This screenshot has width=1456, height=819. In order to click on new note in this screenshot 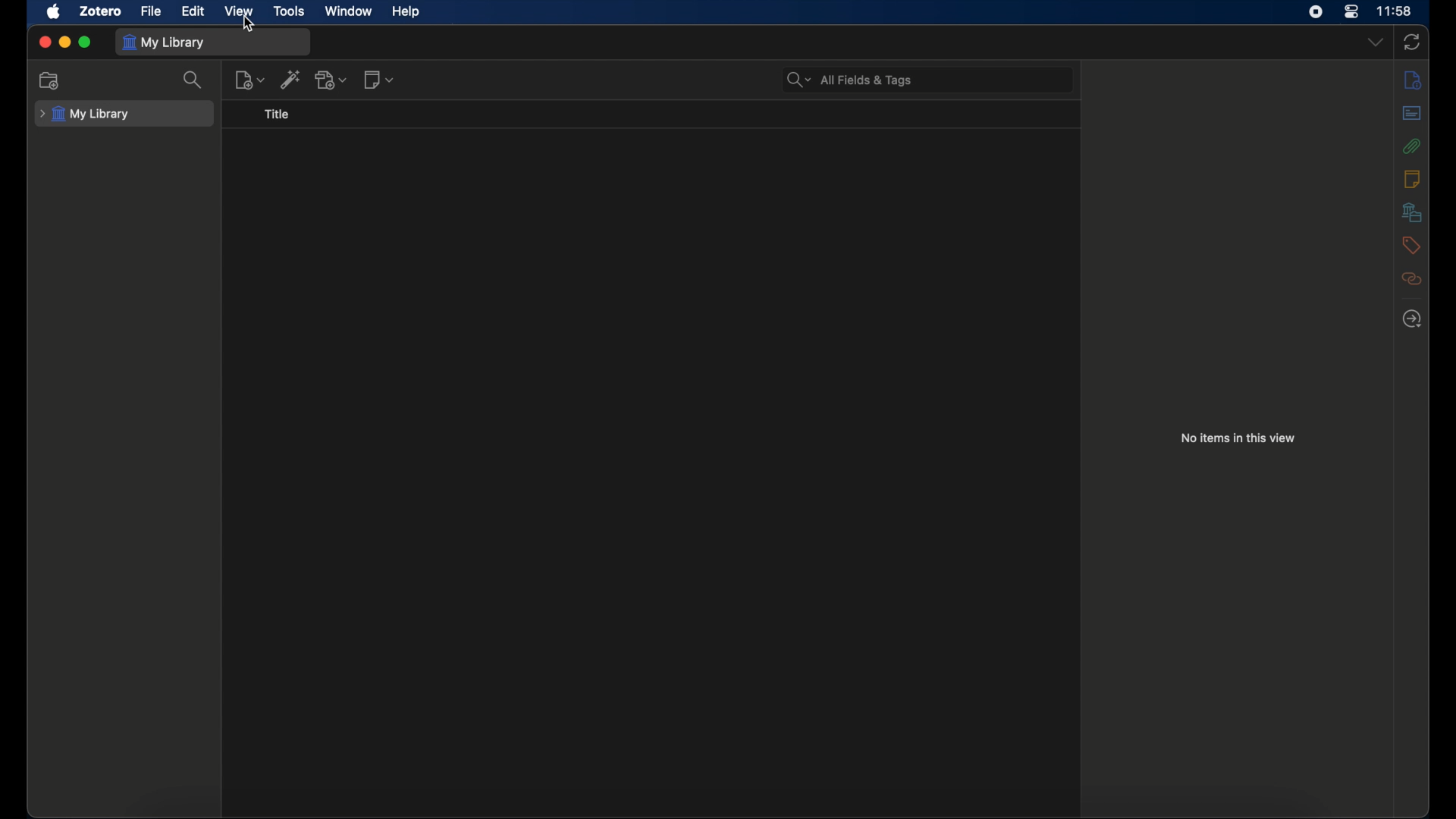, I will do `click(381, 79)`.